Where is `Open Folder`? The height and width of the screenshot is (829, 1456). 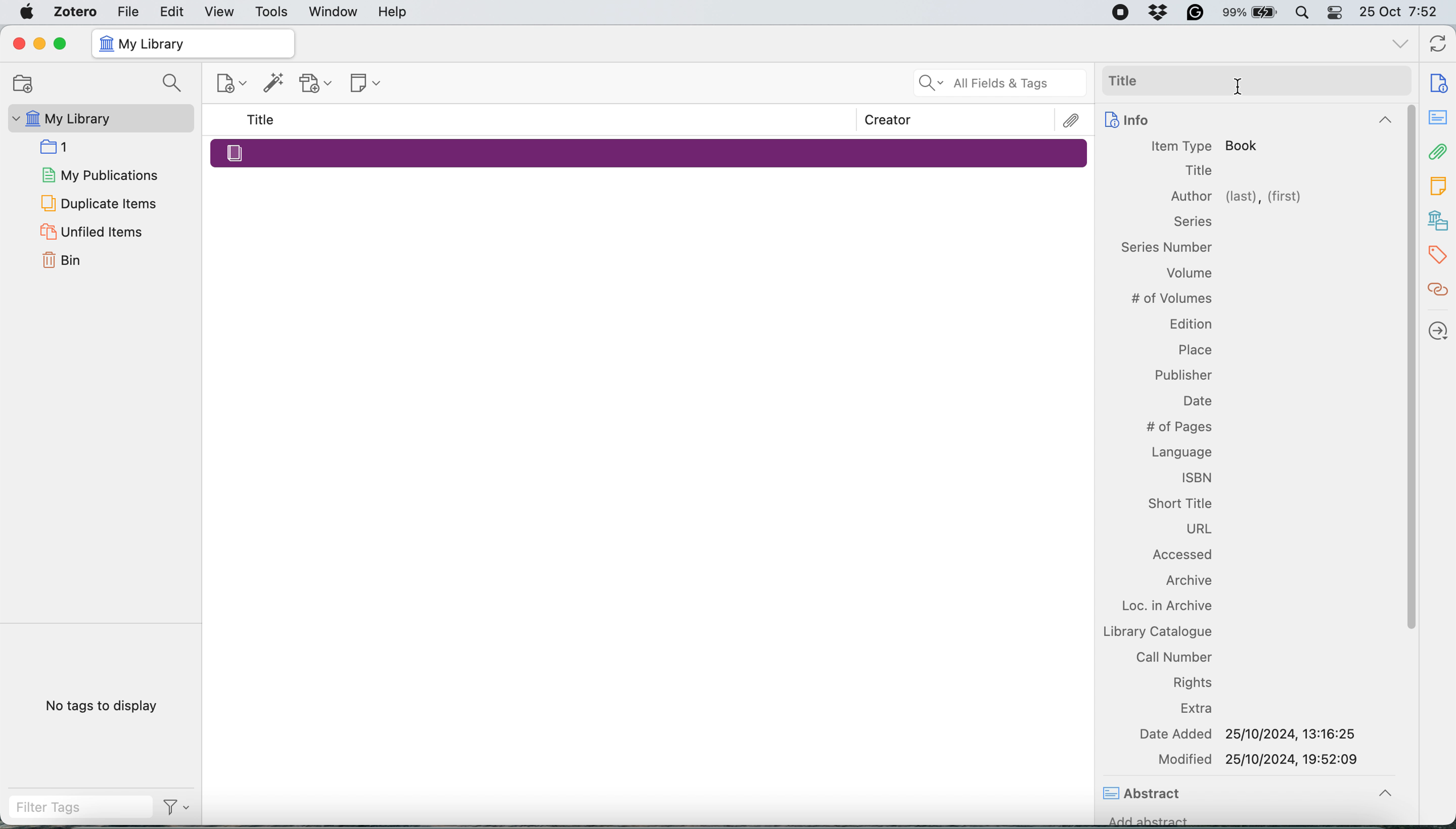 Open Folder is located at coordinates (21, 83).